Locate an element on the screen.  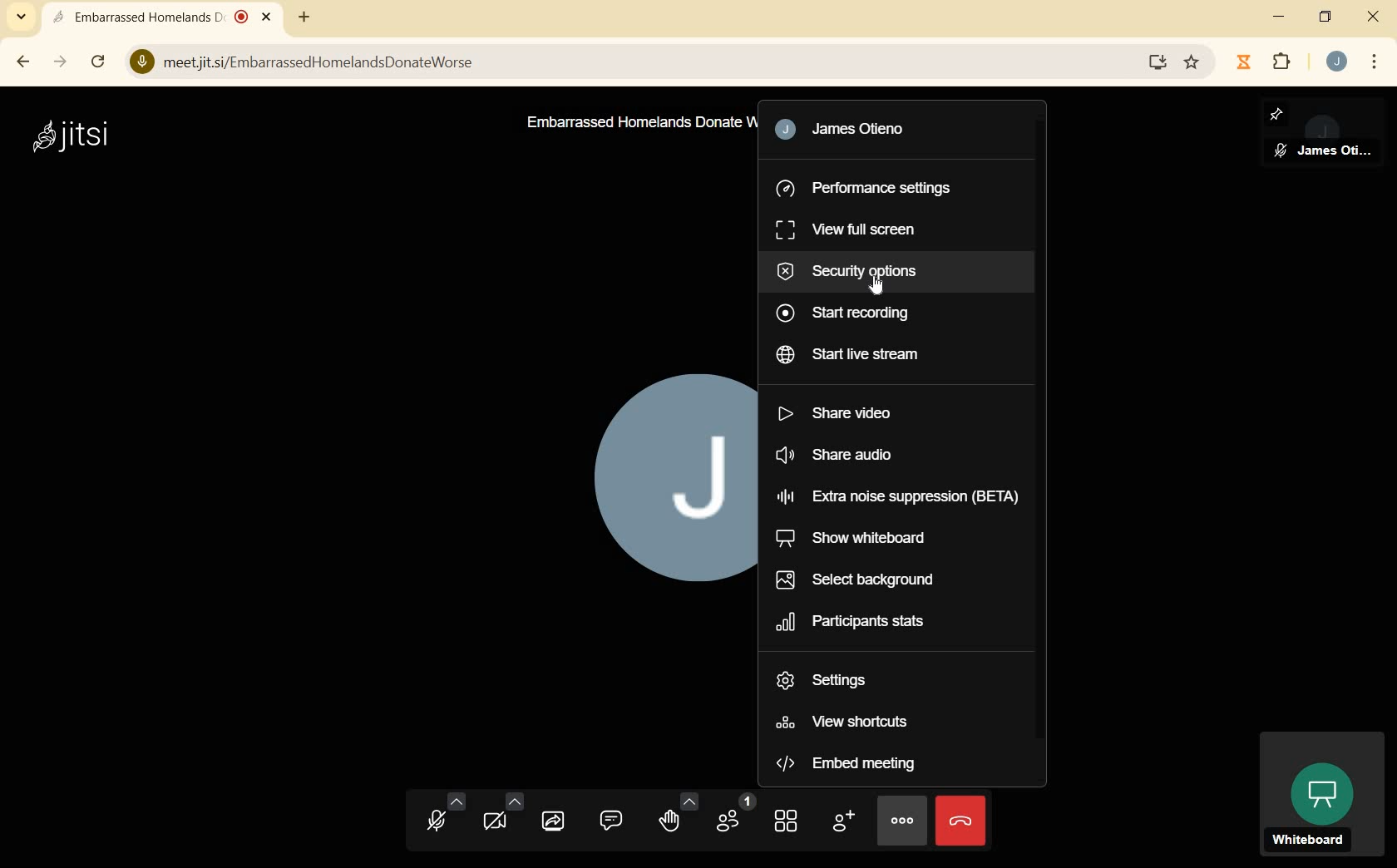
video is located at coordinates (501, 817).